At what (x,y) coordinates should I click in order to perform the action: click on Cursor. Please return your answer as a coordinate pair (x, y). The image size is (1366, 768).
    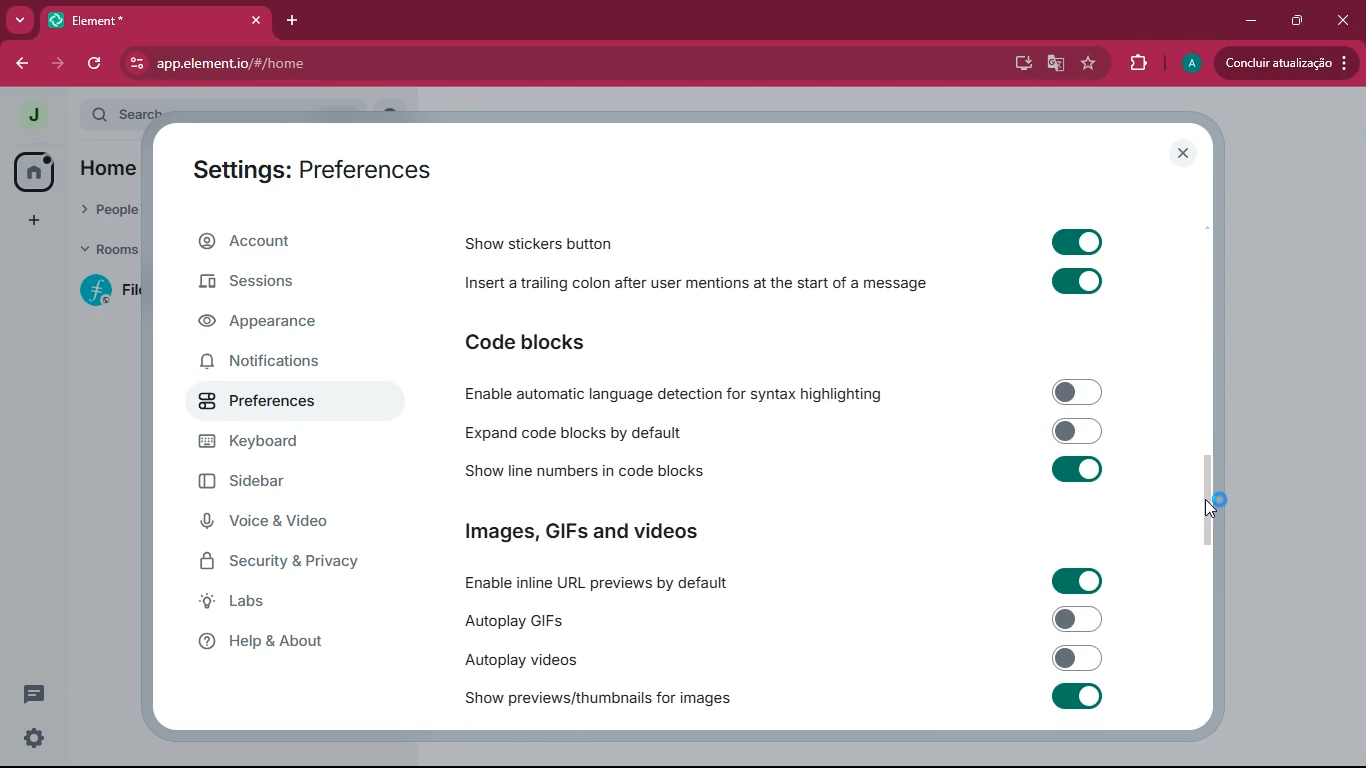
    Looking at the image, I should click on (1217, 507).